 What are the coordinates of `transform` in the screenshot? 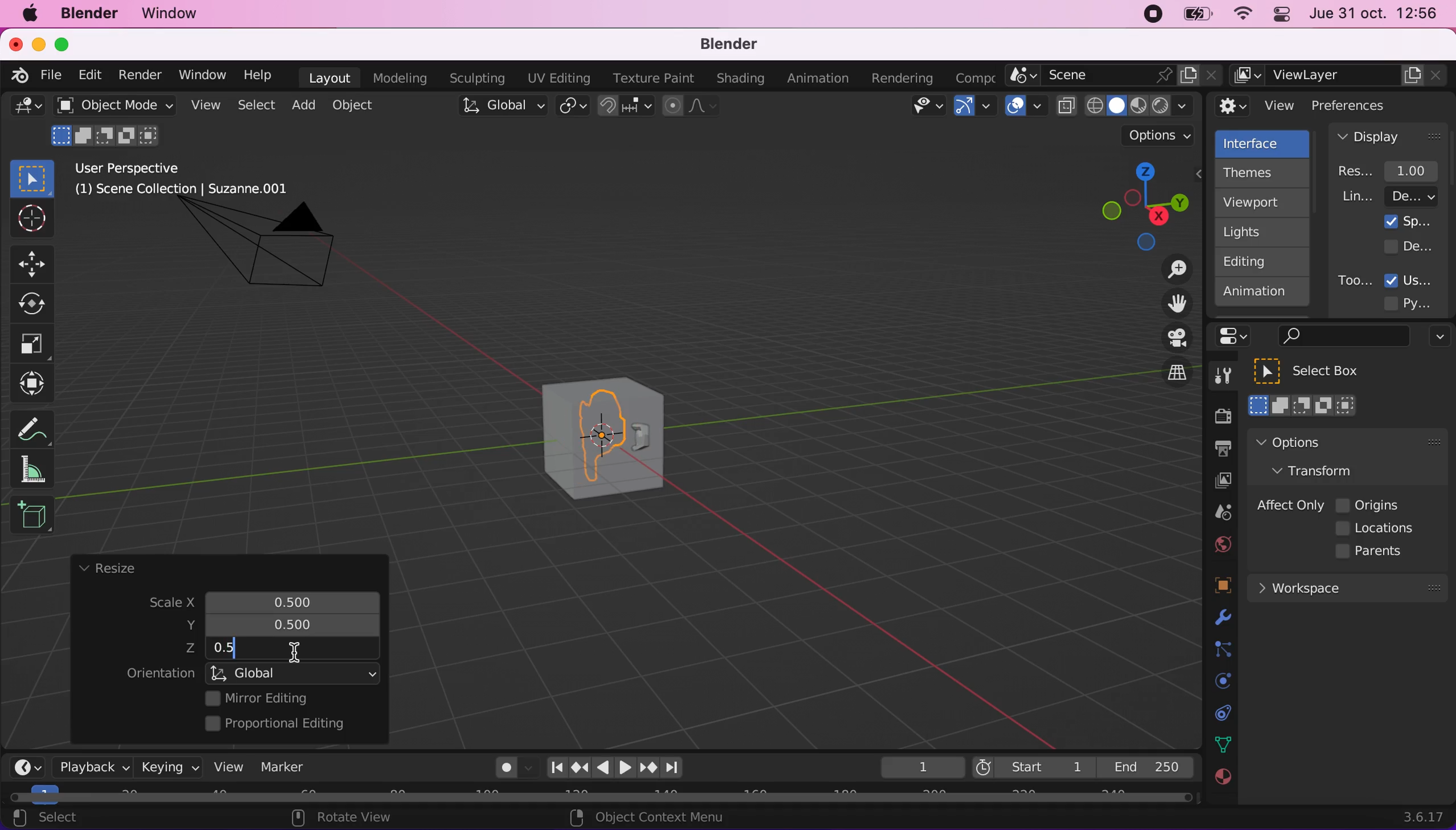 It's located at (35, 384).